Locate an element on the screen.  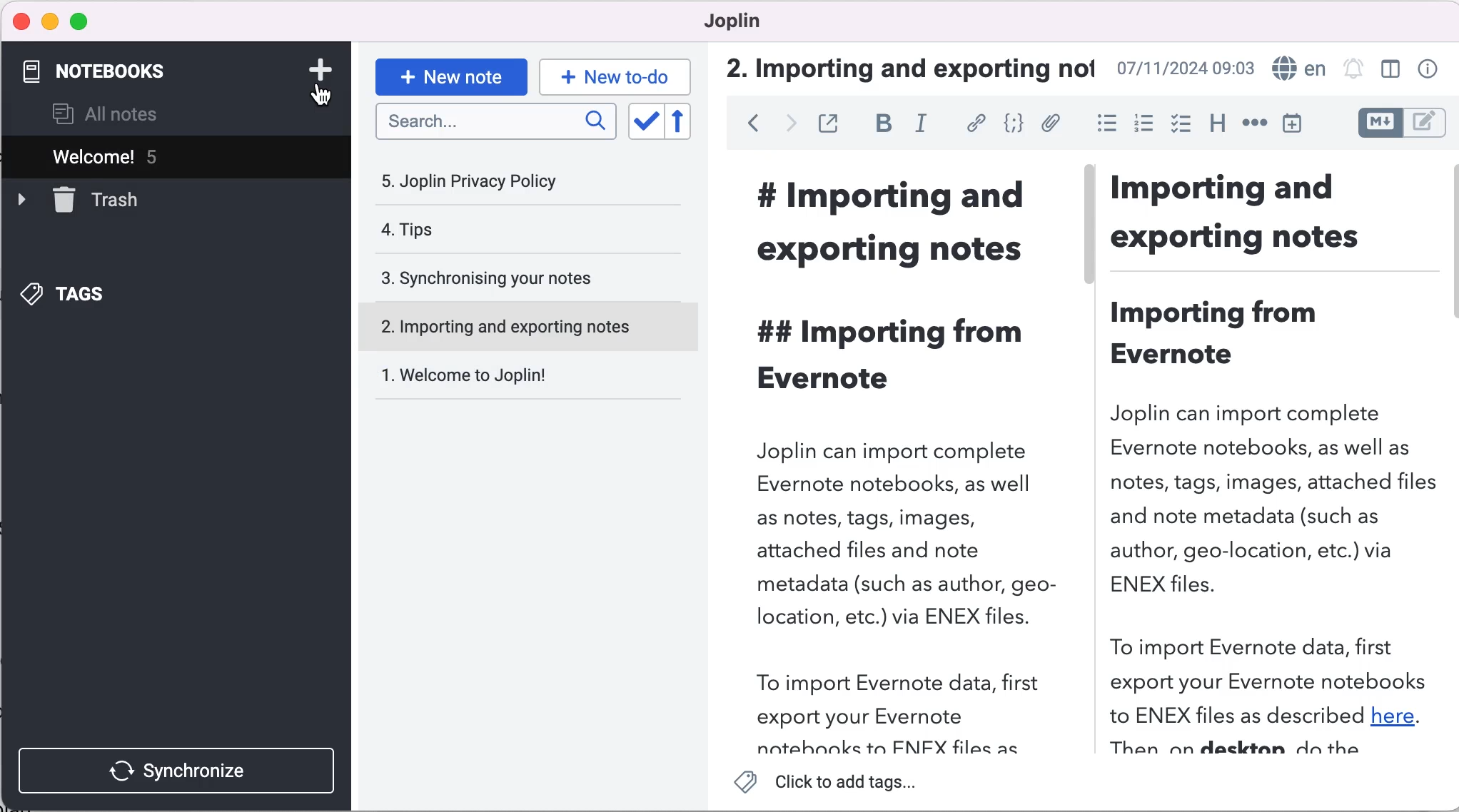
synchronize is located at coordinates (180, 770).